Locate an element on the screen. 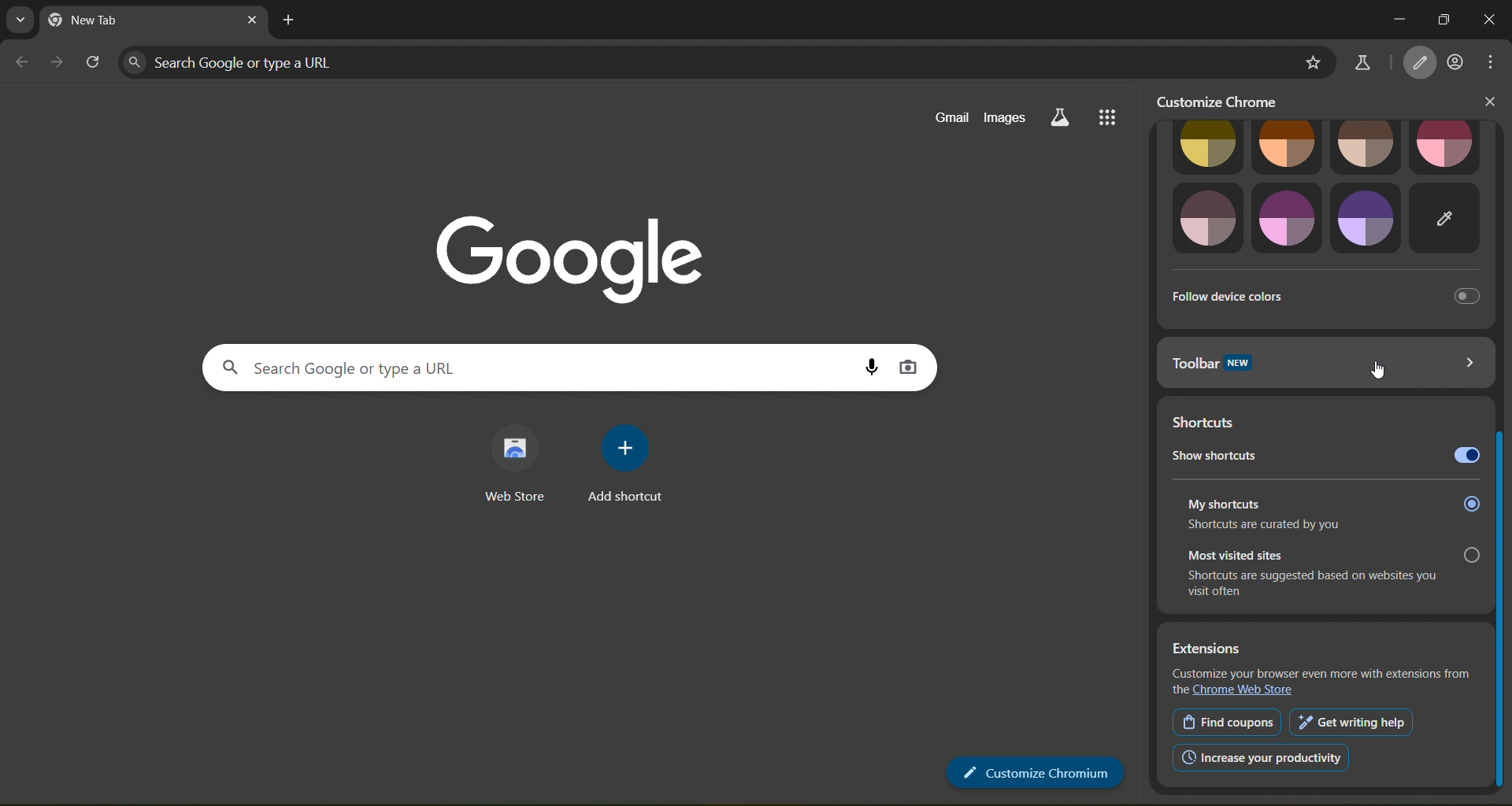 This screenshot has width=1512, height=806. search panel is located at coordinates (324, 62).